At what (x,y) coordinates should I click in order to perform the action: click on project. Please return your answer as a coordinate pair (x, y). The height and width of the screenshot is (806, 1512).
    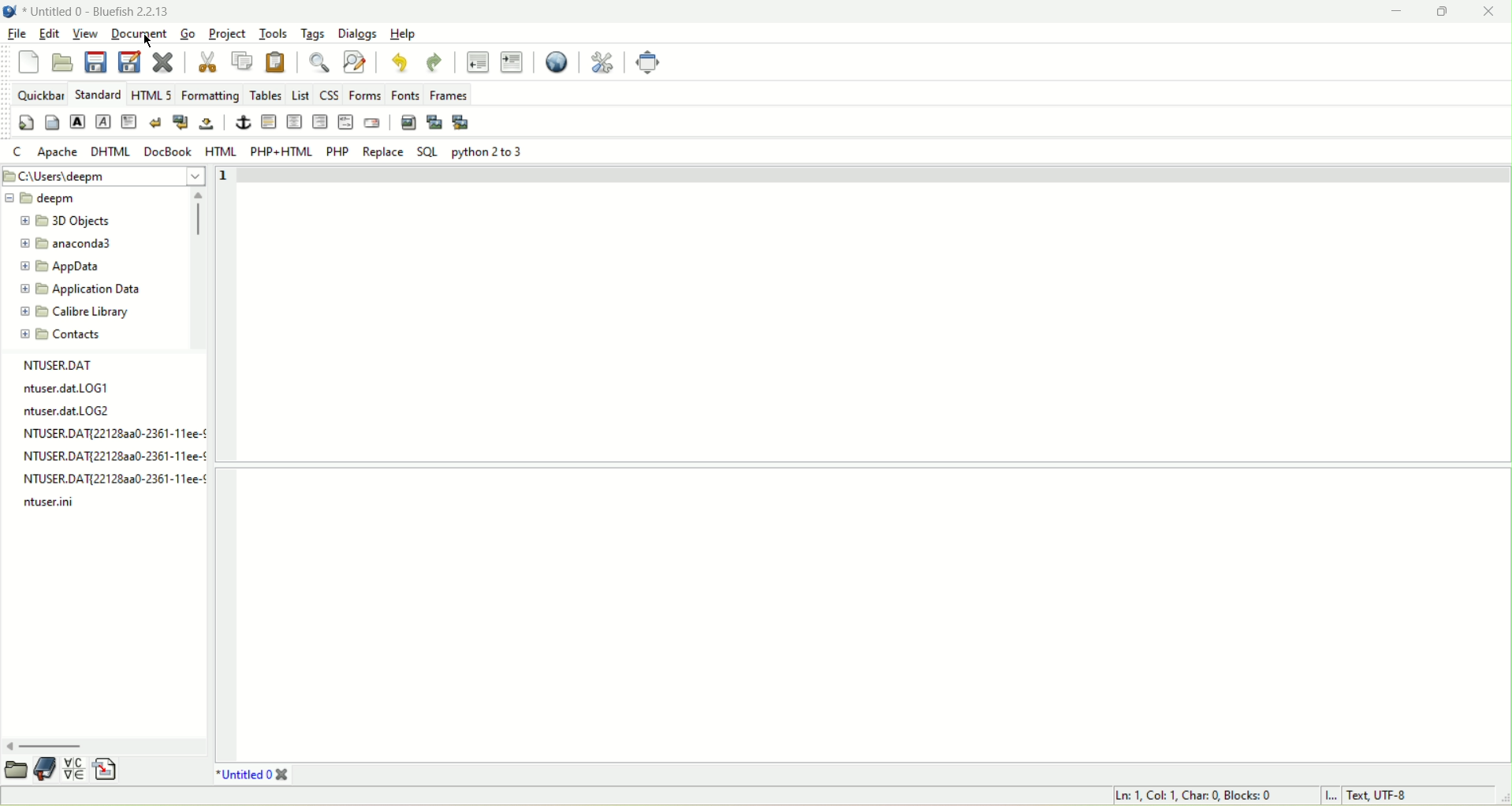
    Looking at the image, I should click on (228, 35).